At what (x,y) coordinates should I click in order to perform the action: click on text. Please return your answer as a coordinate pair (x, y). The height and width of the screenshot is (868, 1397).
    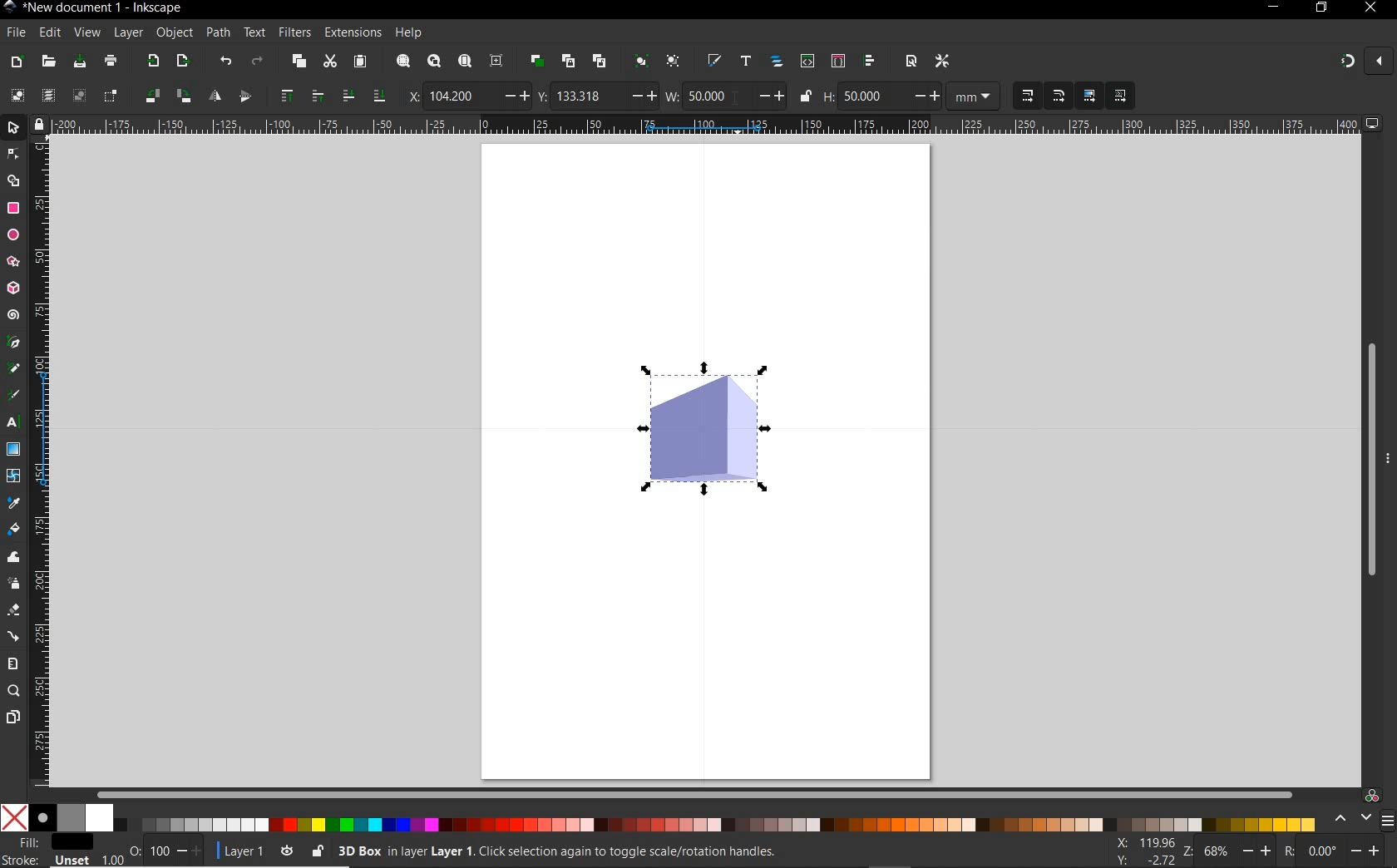
    Looking at the image, I should click on (254, 32).